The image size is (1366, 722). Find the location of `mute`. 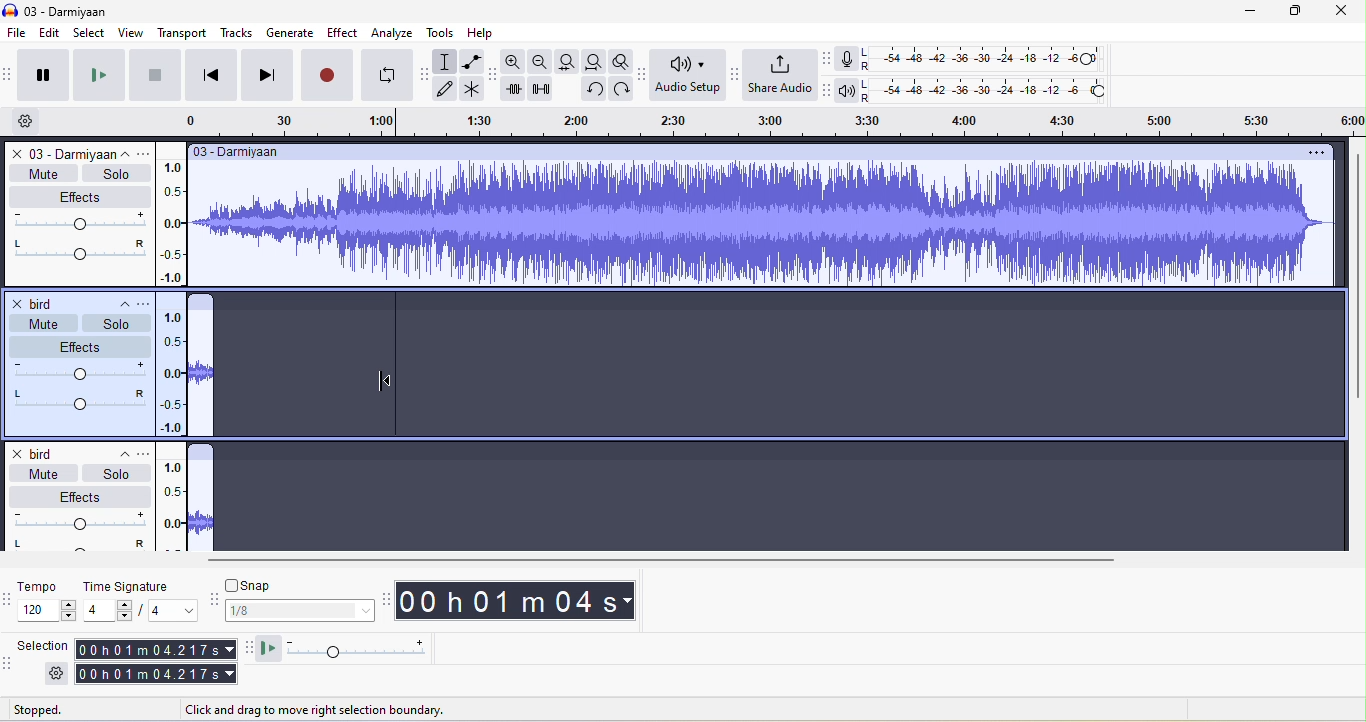

mute is located at coordinates (40, 472).